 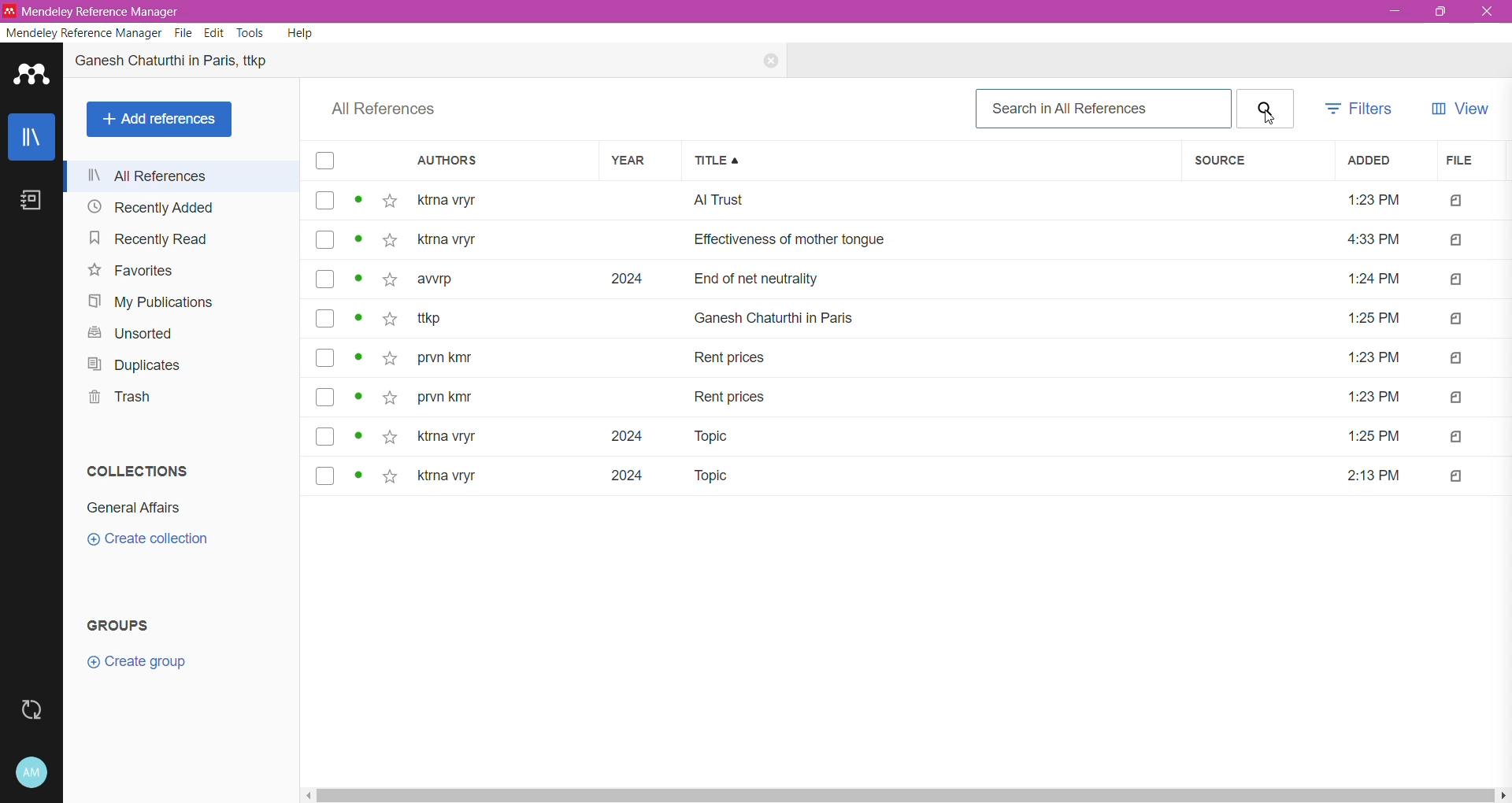 I want to click on Recently Added, so click(x=149, y=206).